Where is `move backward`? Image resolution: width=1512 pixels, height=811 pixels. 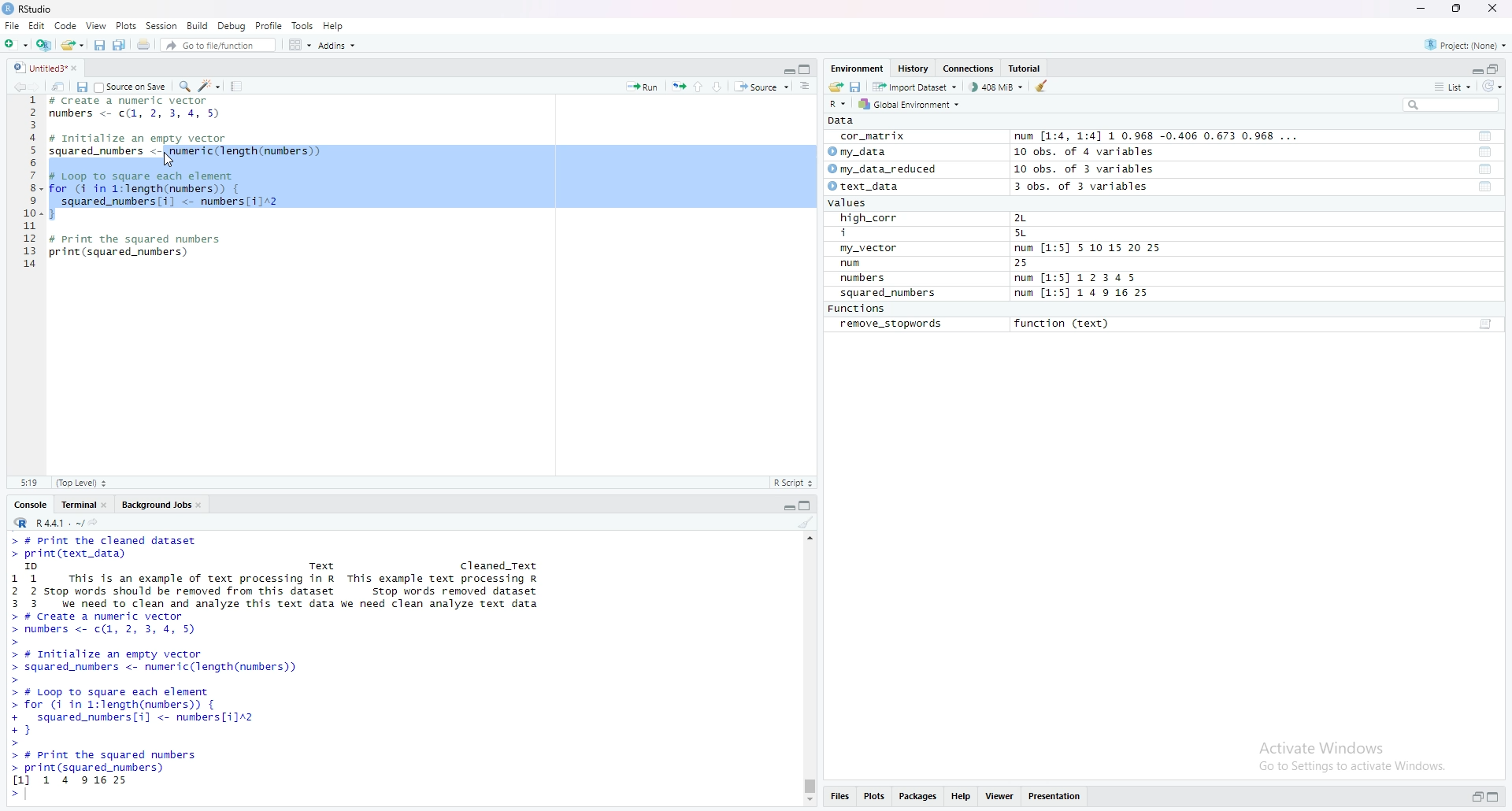 move backward is located at coordinates (19, 85).